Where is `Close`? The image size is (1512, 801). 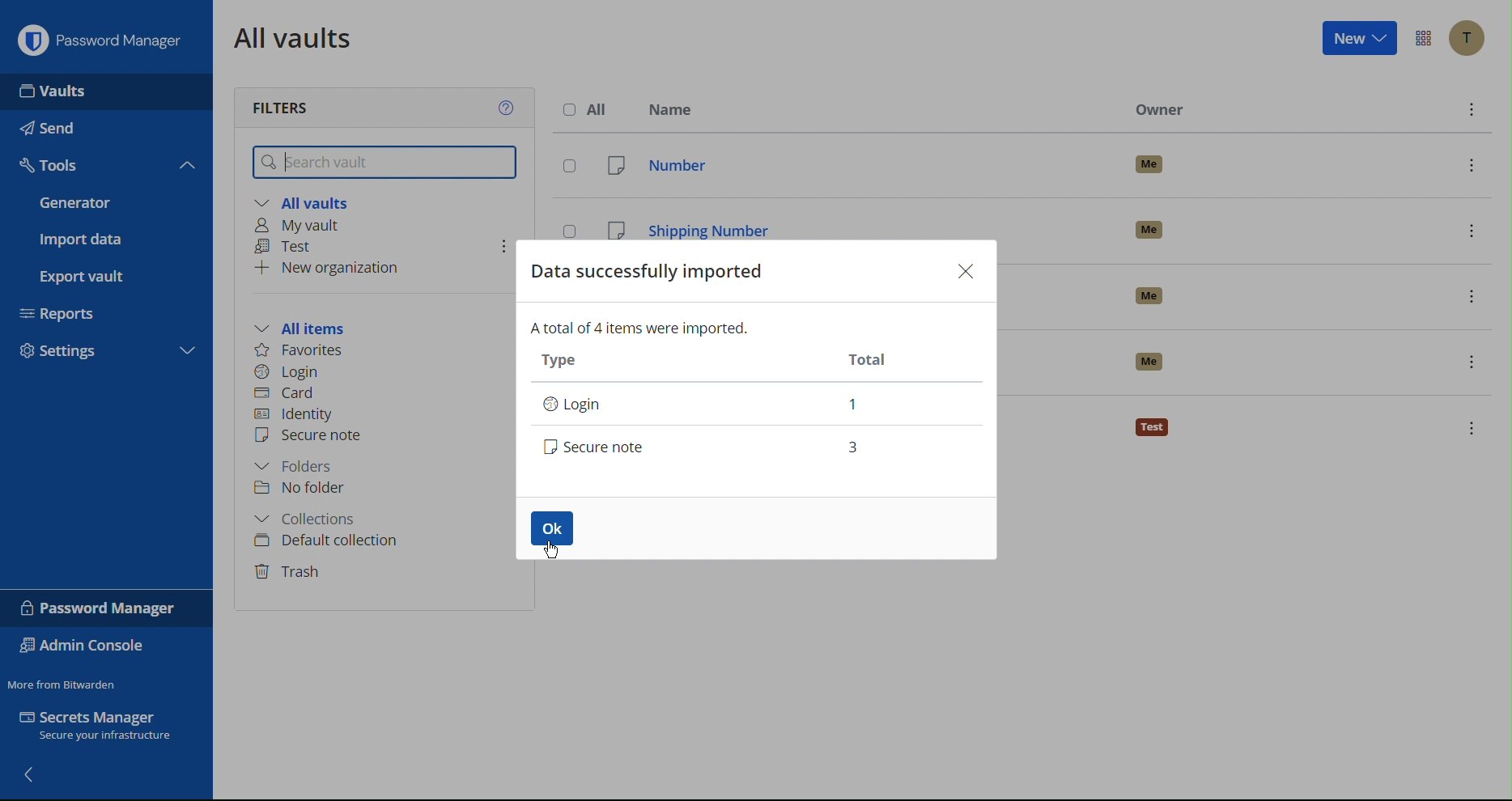
Close is located at coordinates (970, 273).